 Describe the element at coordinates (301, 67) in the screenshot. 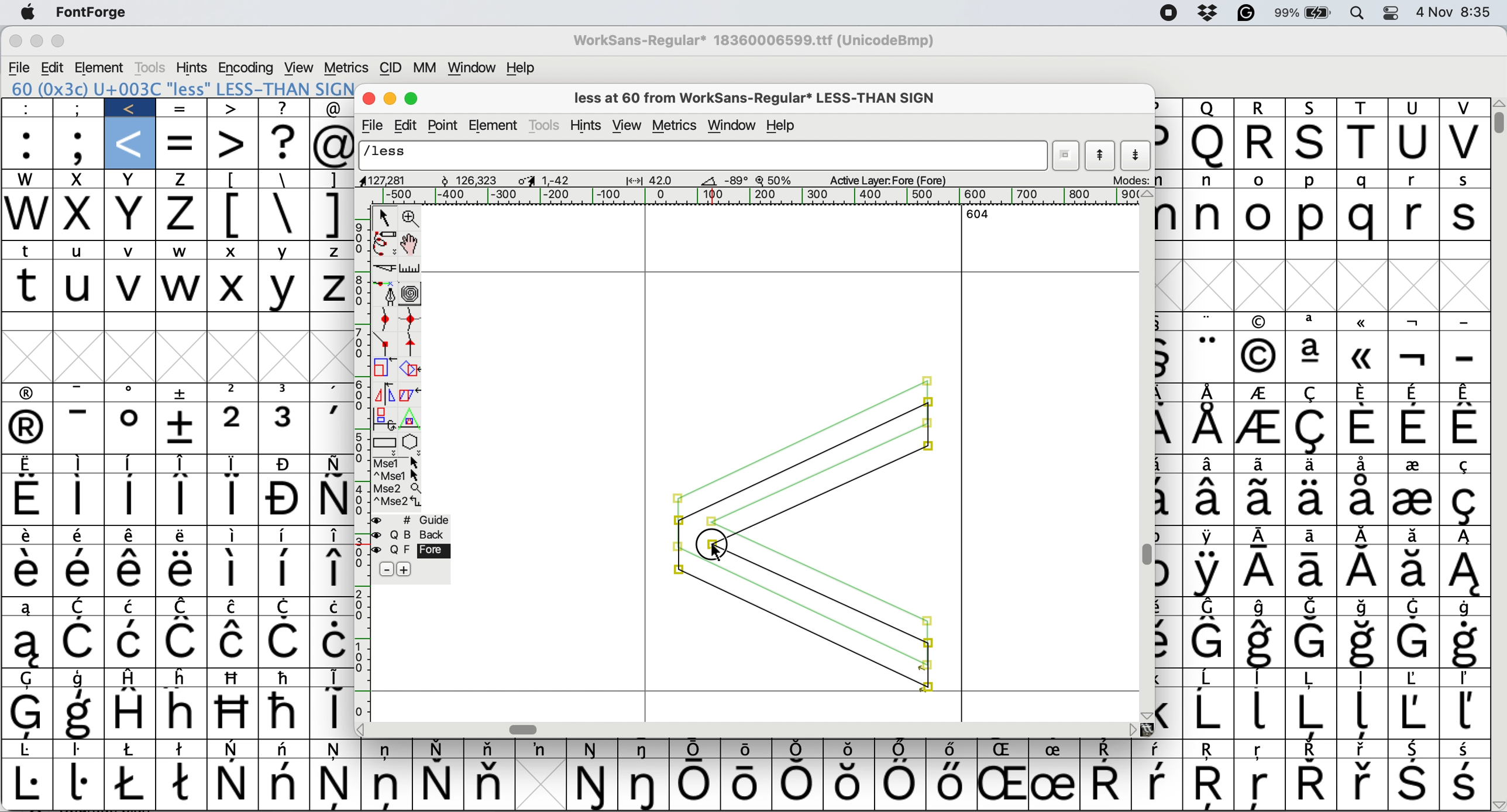

I see `view` at that location.